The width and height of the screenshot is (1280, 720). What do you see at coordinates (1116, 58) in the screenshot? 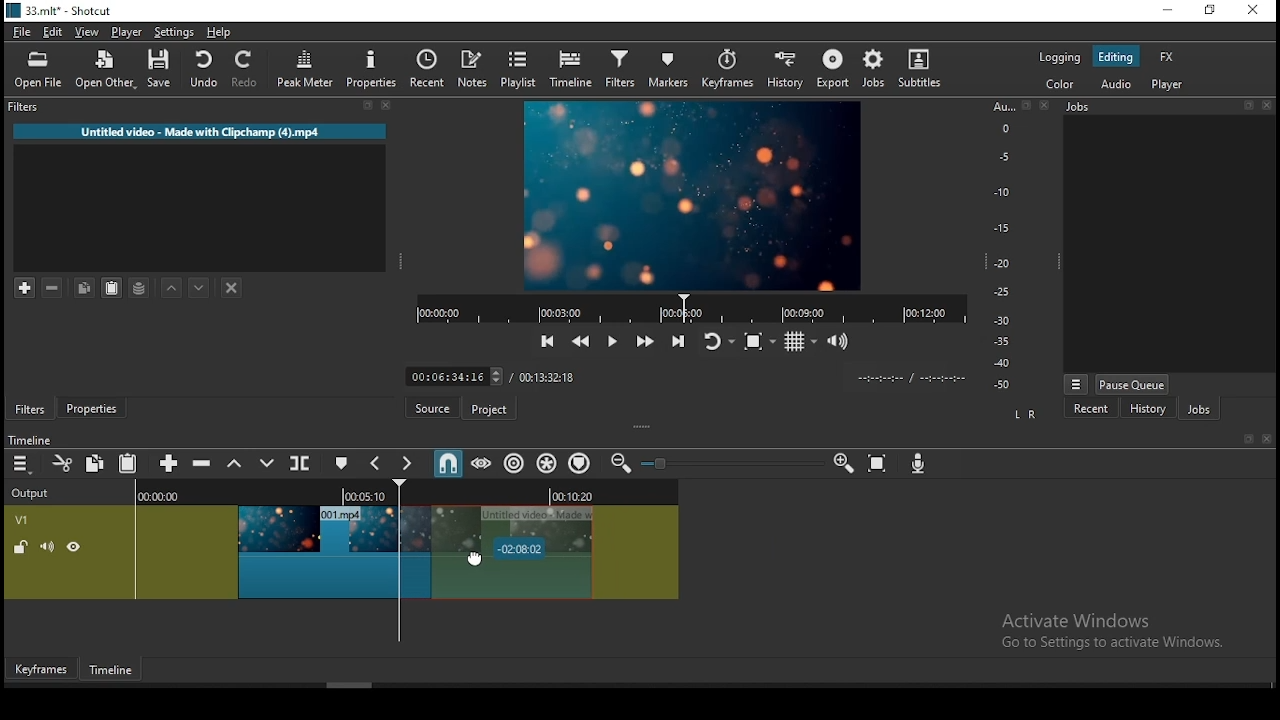
I see `editing` at bounding box center [1116, 58].